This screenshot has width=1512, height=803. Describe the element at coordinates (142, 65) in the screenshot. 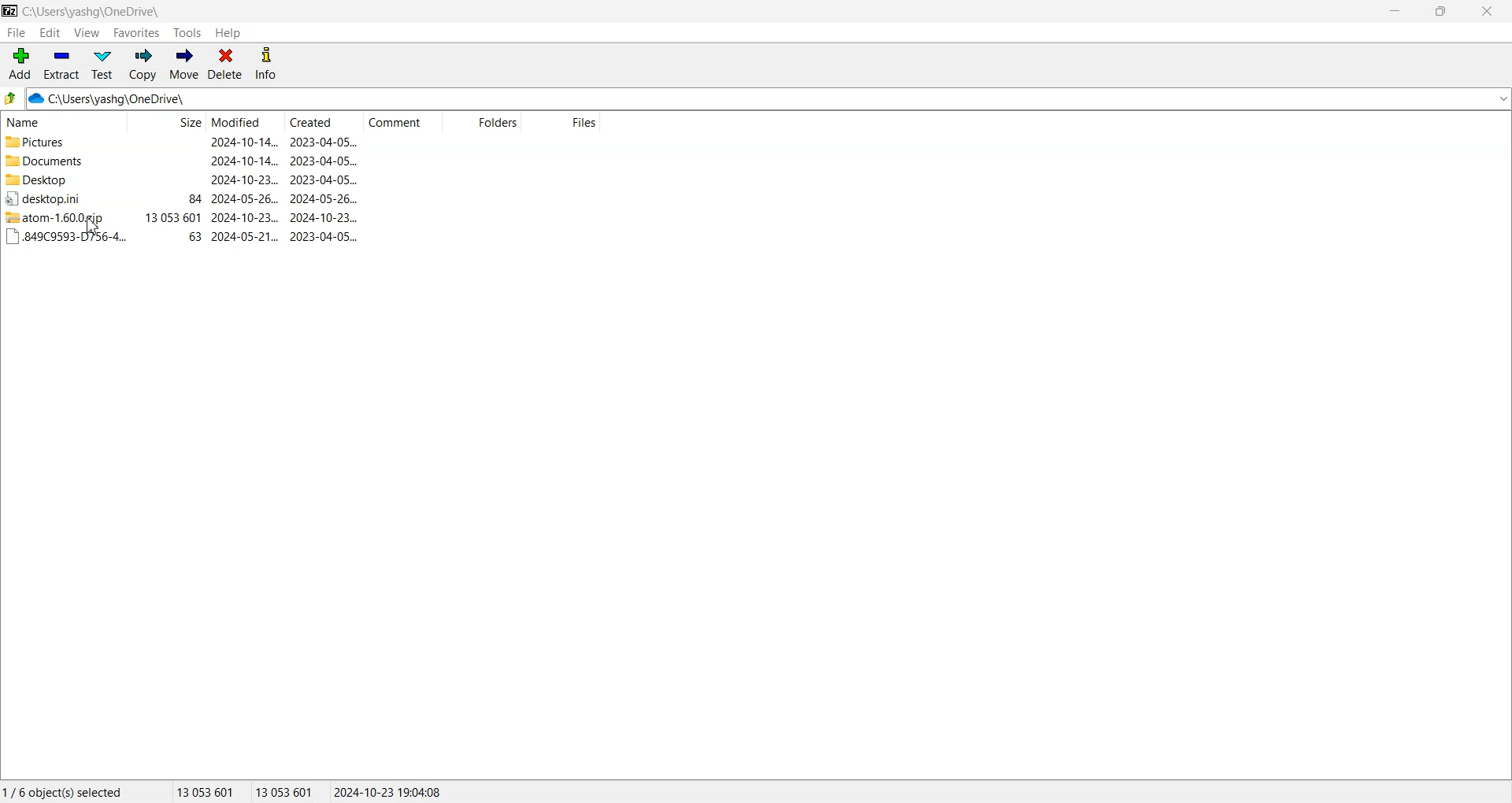

I see `Copy` at that location.